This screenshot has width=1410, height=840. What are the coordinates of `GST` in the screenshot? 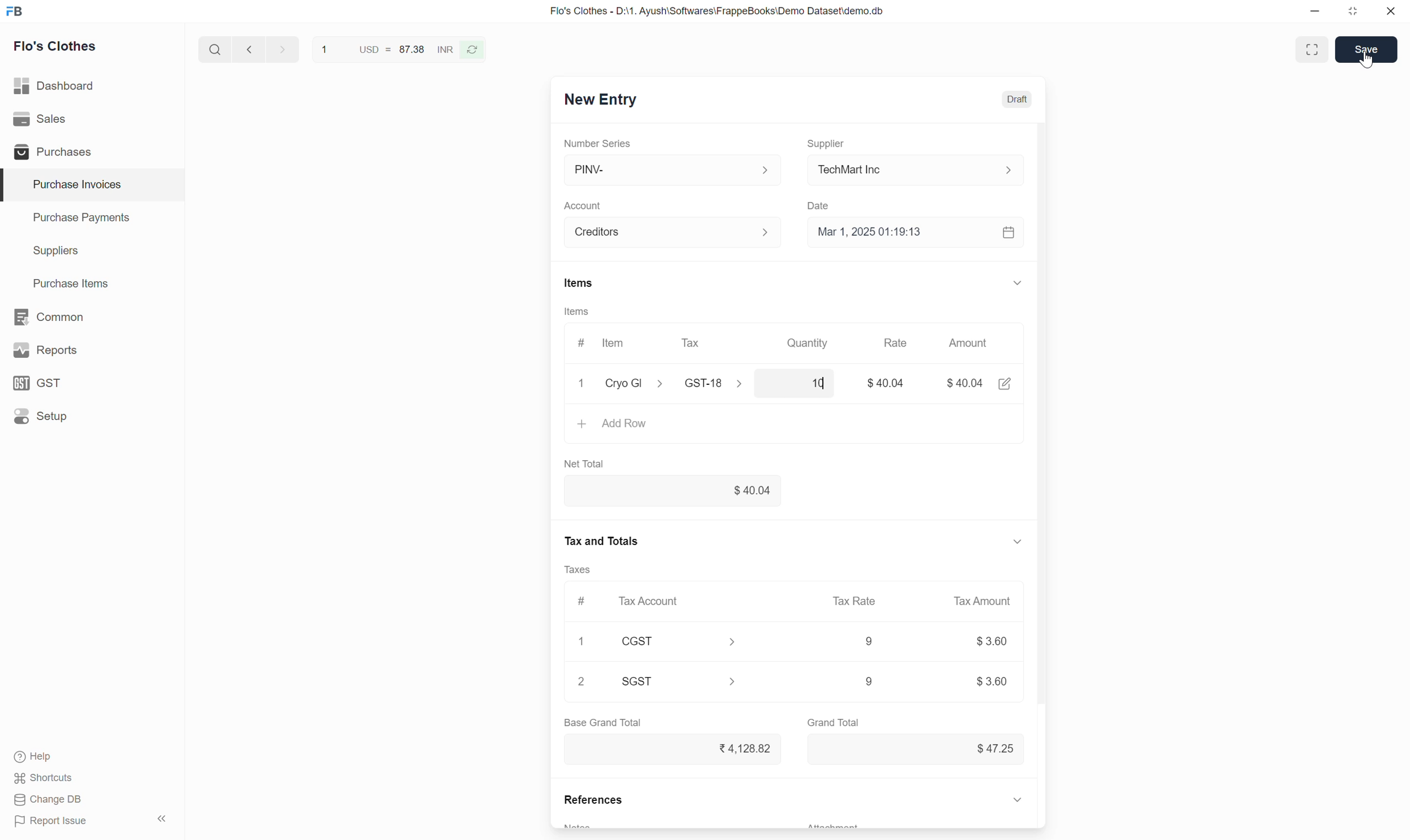 It's located at (42, 383).